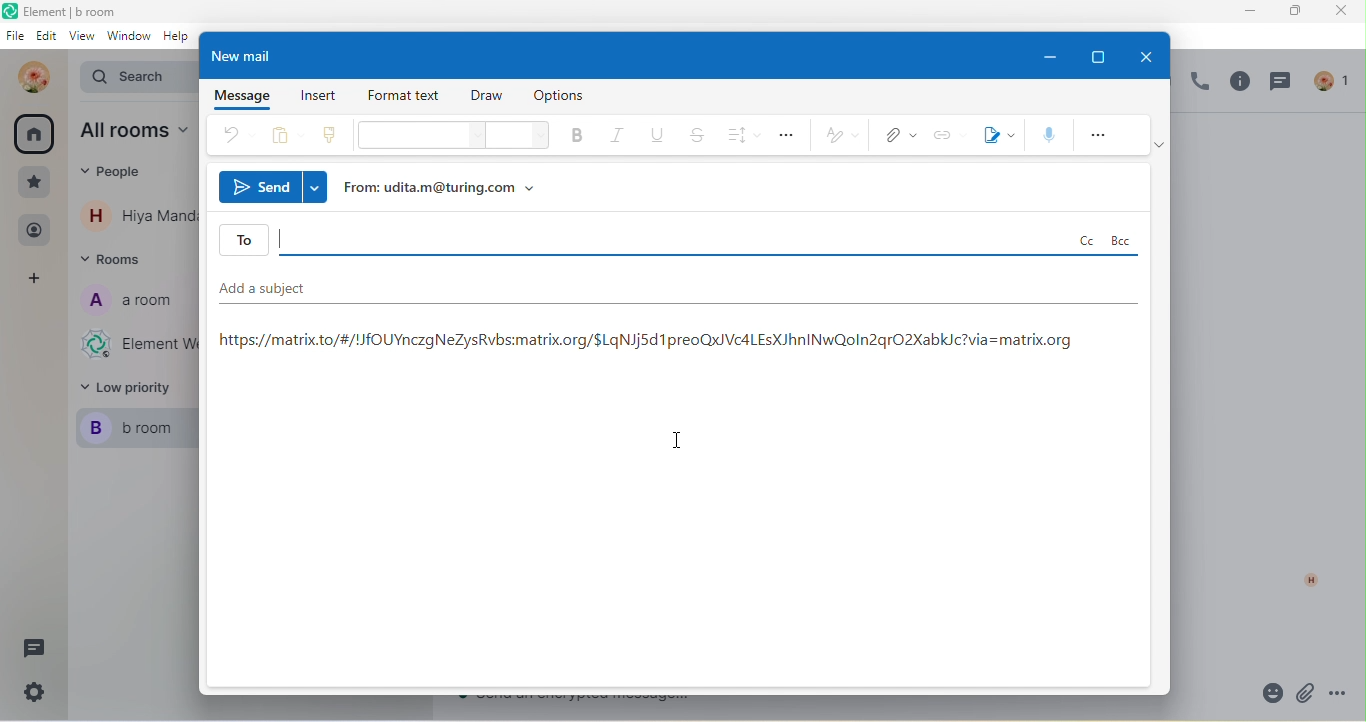  I want to click on to, so click(679, 239).